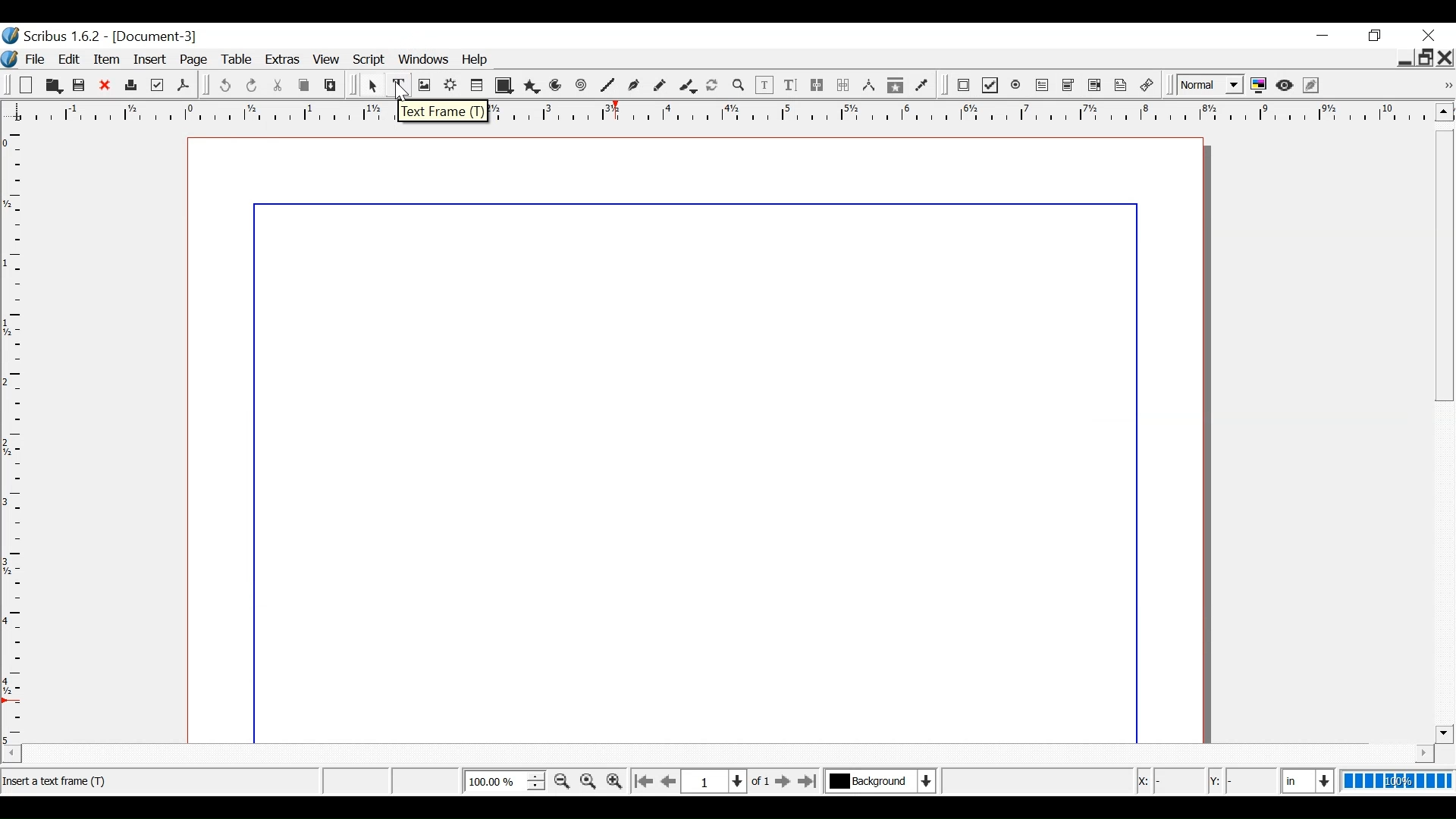  What do you see at coordinates (1212, 85) in the screenshot?
I see `Select the image preview quality` at bounding box center [1212, 85].